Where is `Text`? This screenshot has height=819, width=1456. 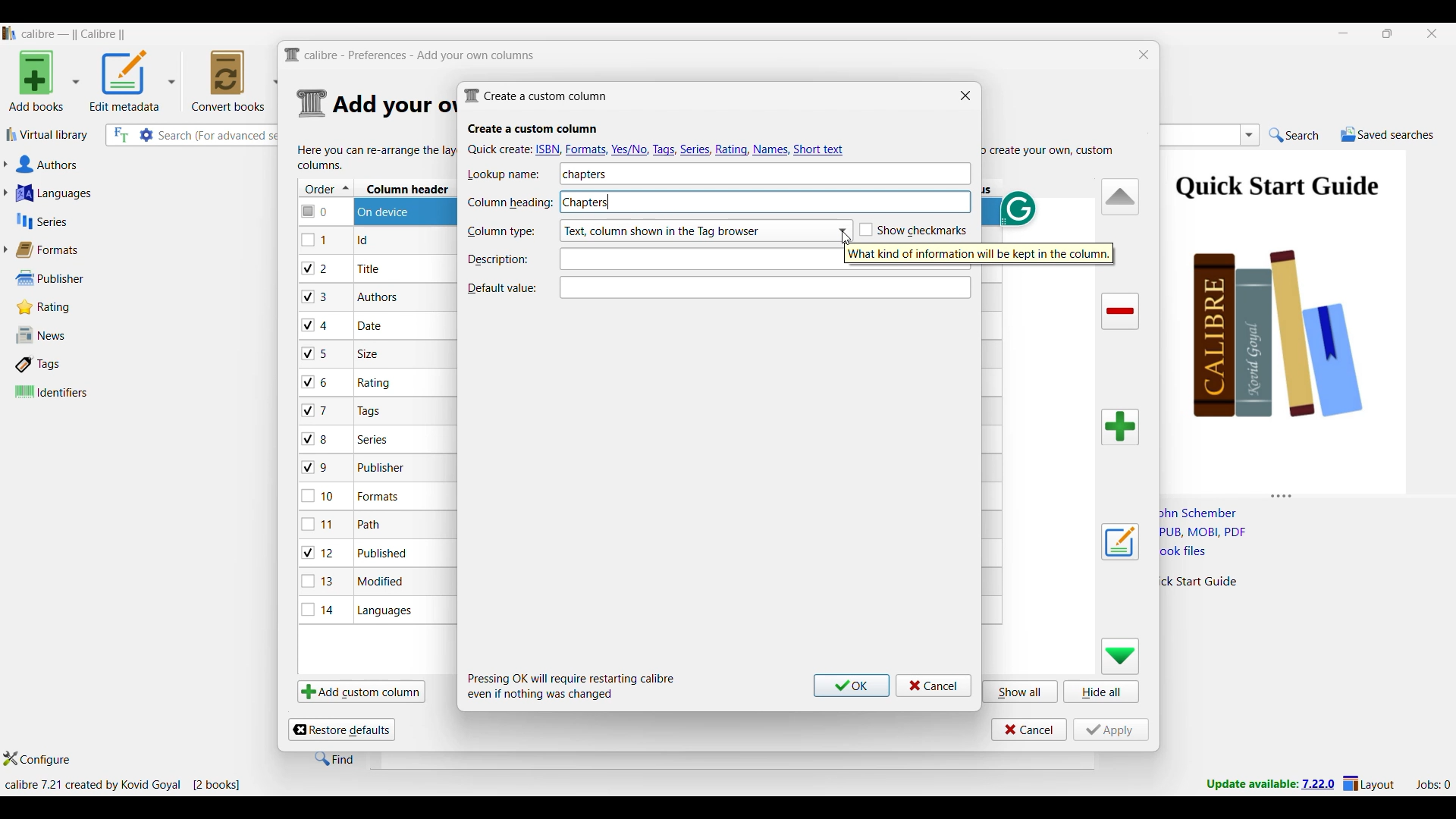 Text is located at coordinates (694, 259).